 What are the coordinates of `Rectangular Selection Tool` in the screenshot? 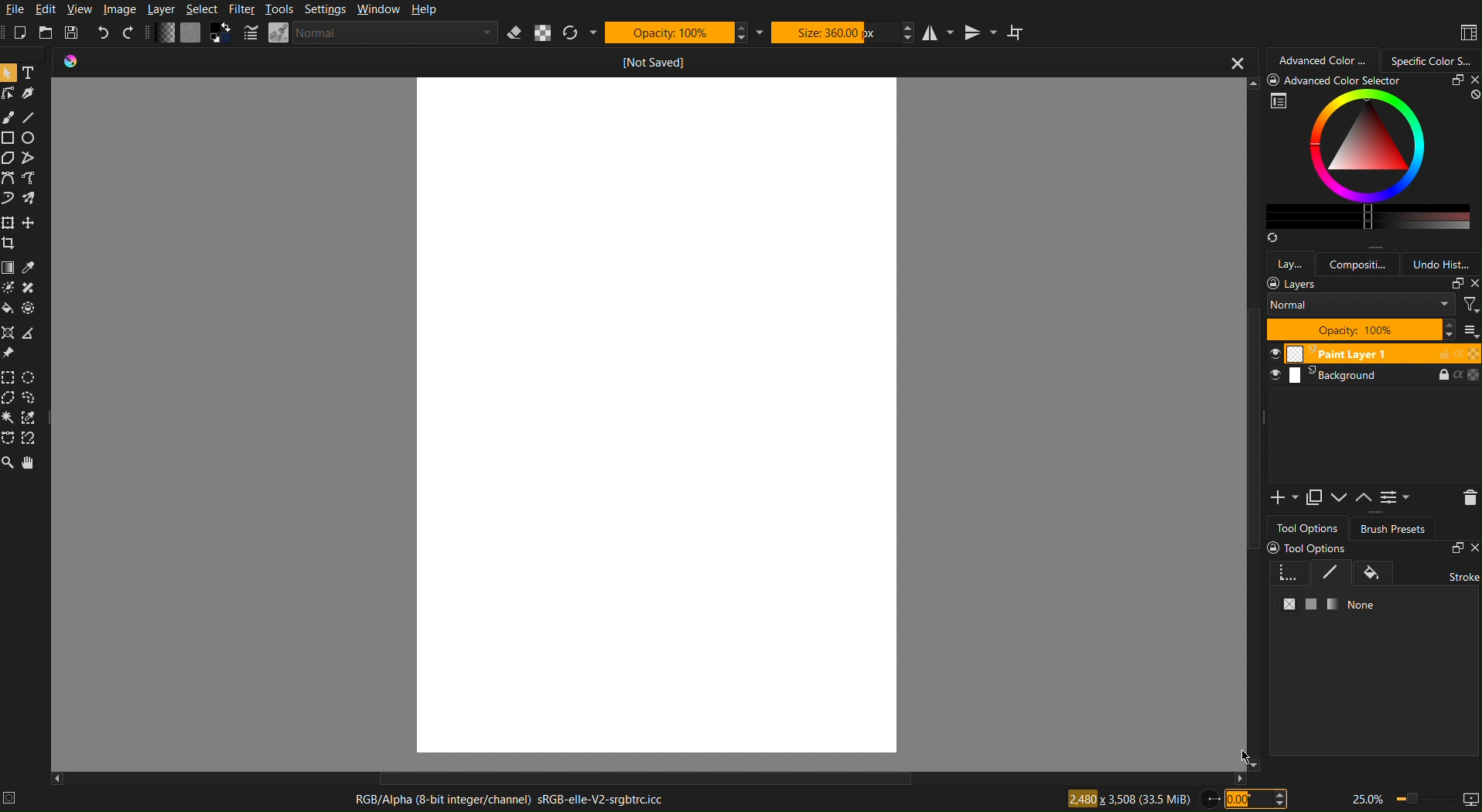 It's located at (9, 377).